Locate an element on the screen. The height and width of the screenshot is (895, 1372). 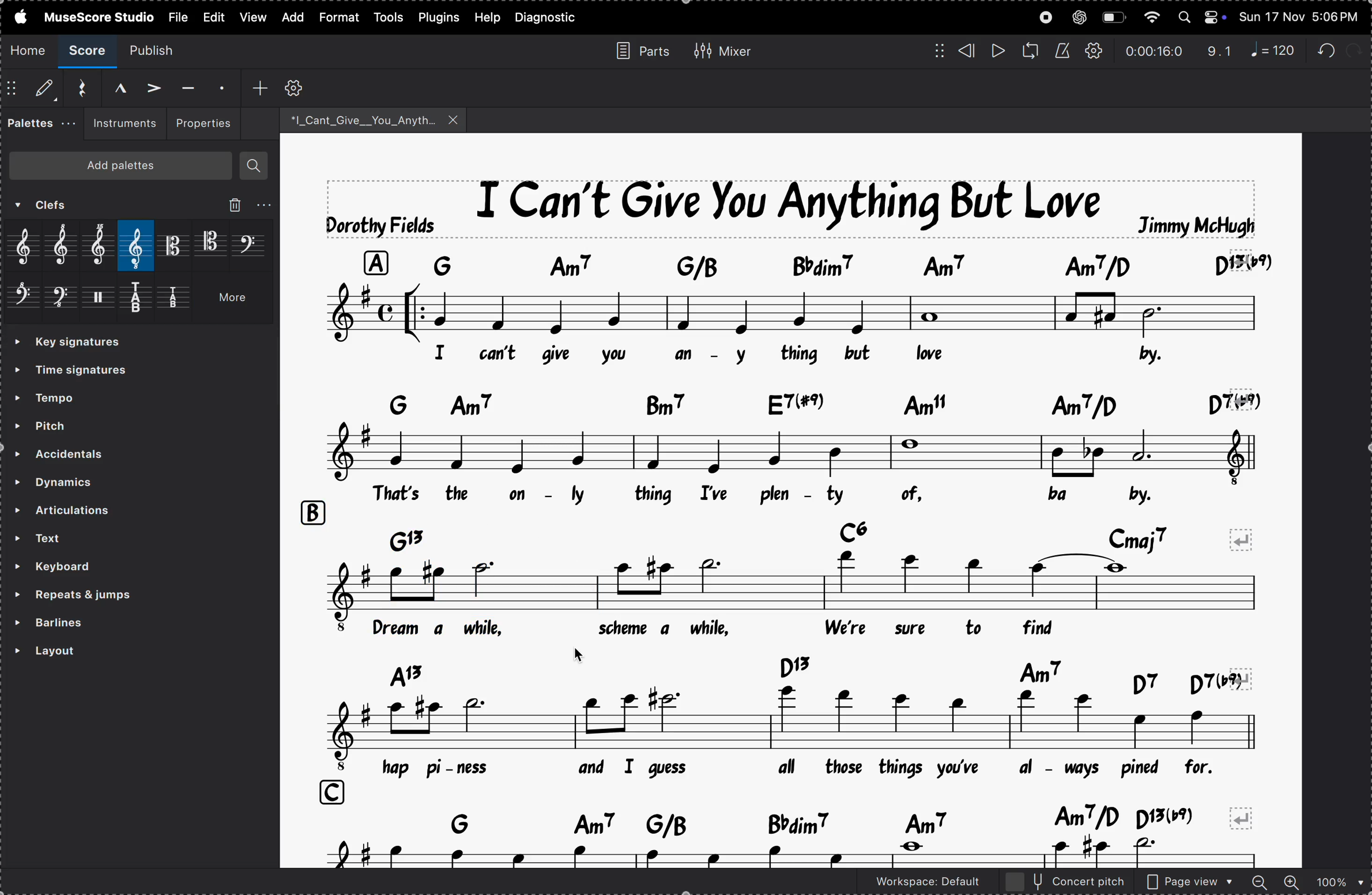
home is located at coordinates (29, 50).